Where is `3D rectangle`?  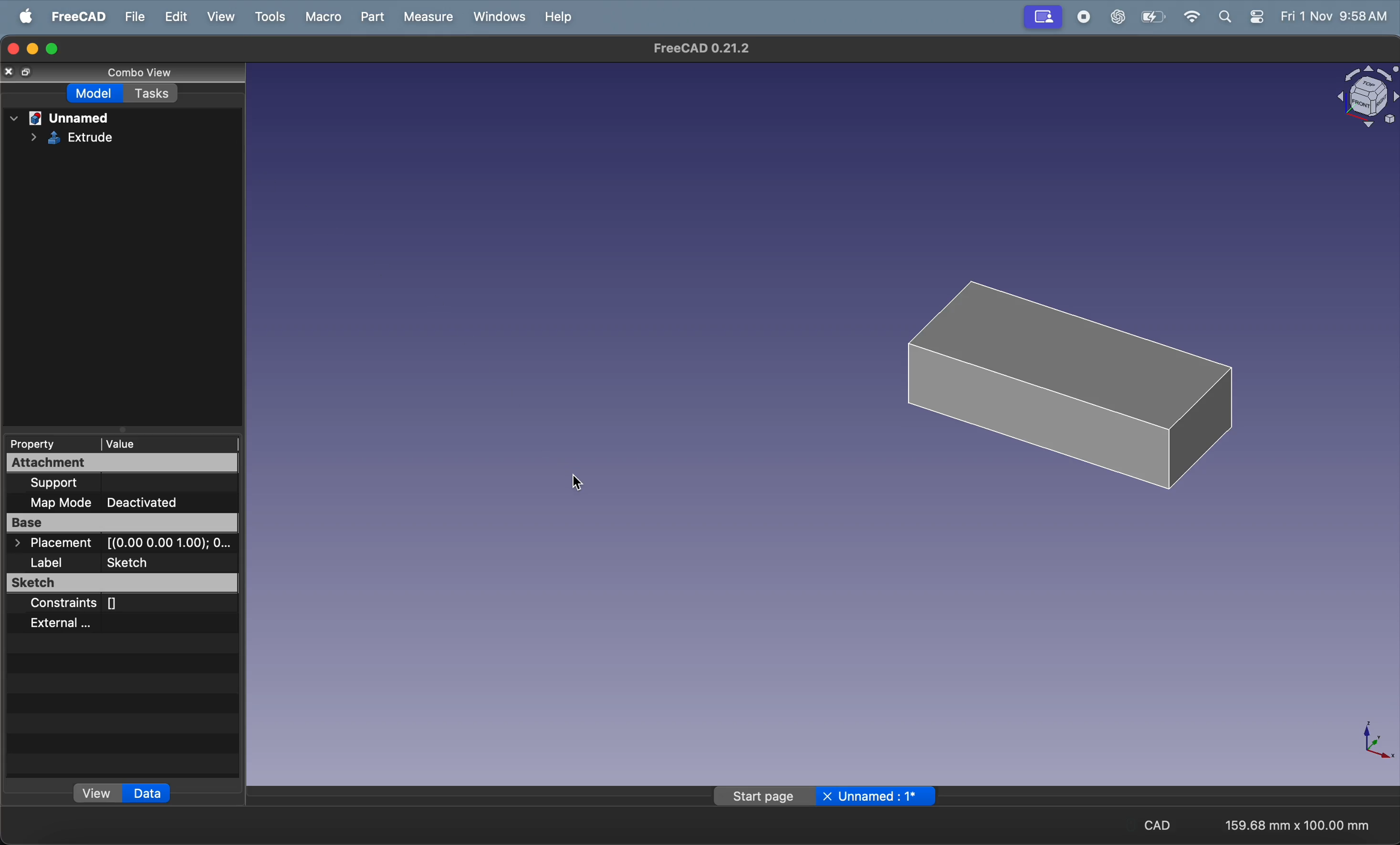 3D rectangle is located at coordinates (1057, 384).